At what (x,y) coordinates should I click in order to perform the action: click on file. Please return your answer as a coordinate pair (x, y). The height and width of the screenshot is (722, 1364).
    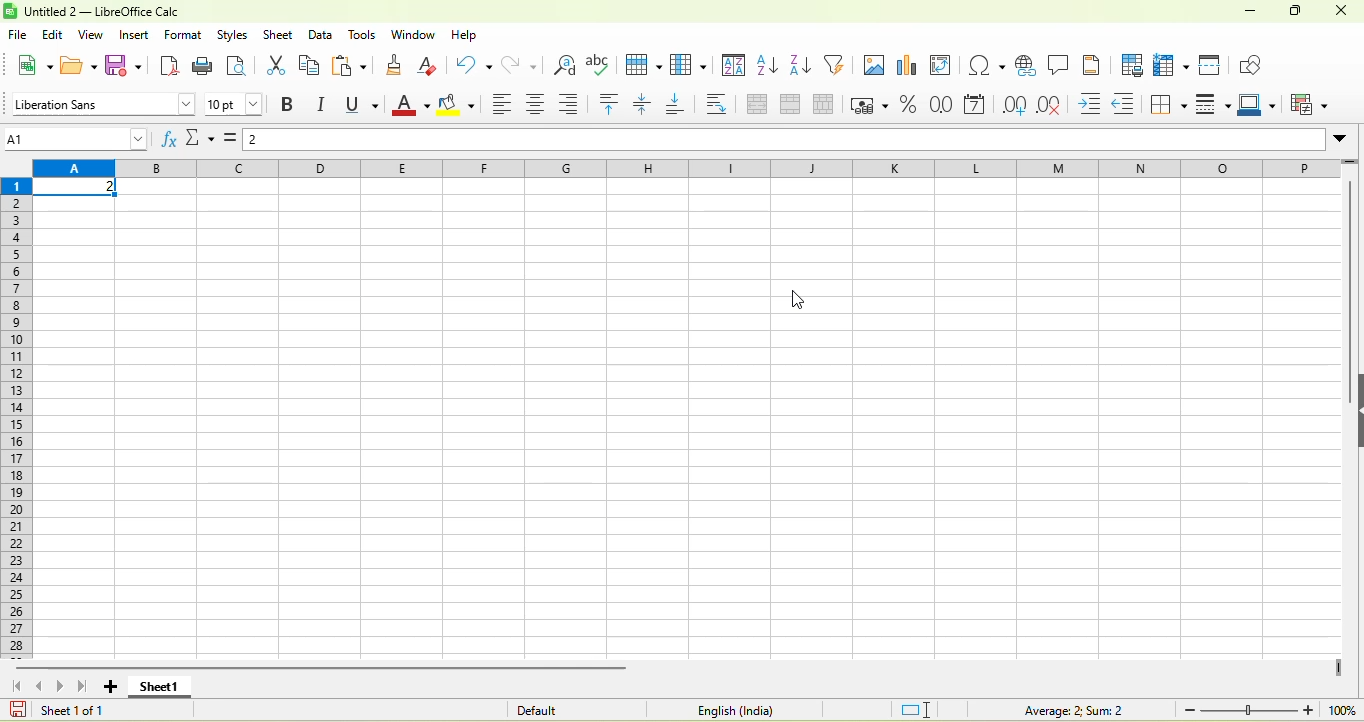
    Looking at the image, I should click on (14, 33).